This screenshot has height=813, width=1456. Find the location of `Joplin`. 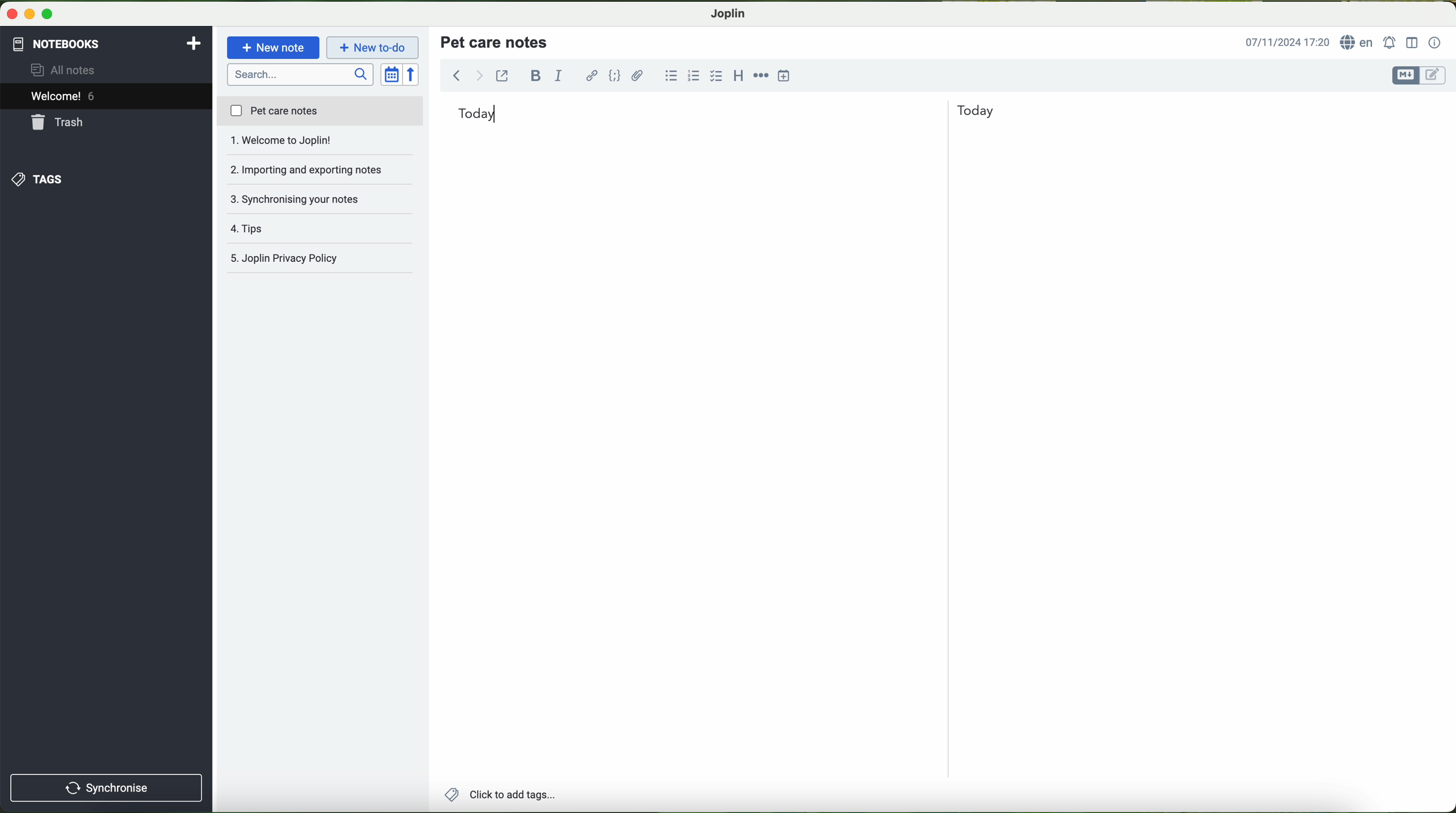

Joplin is located at coordinates (729, 12).